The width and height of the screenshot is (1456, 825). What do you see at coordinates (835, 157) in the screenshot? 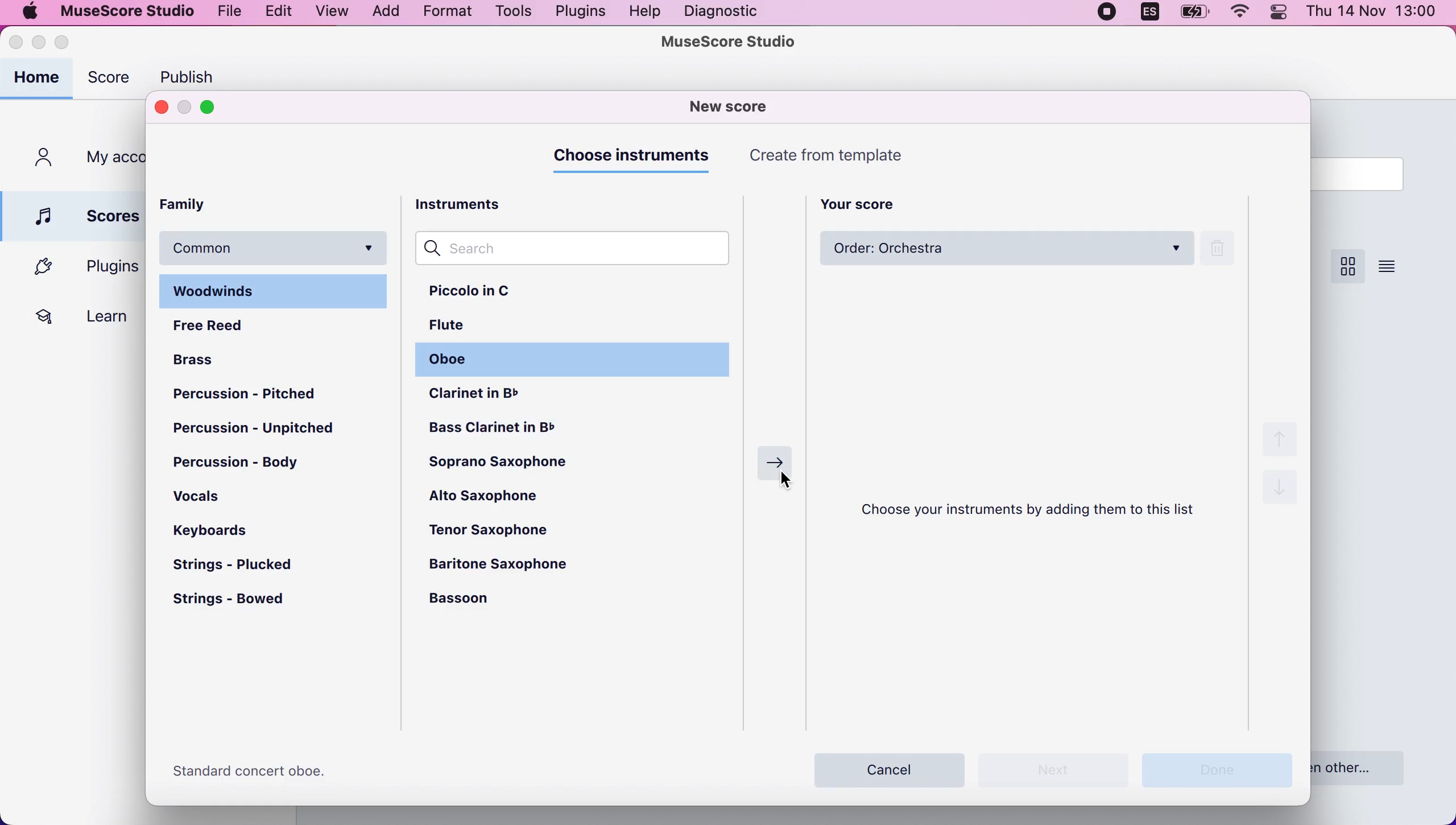
I see `create from template` at bounding box center [835, 157].